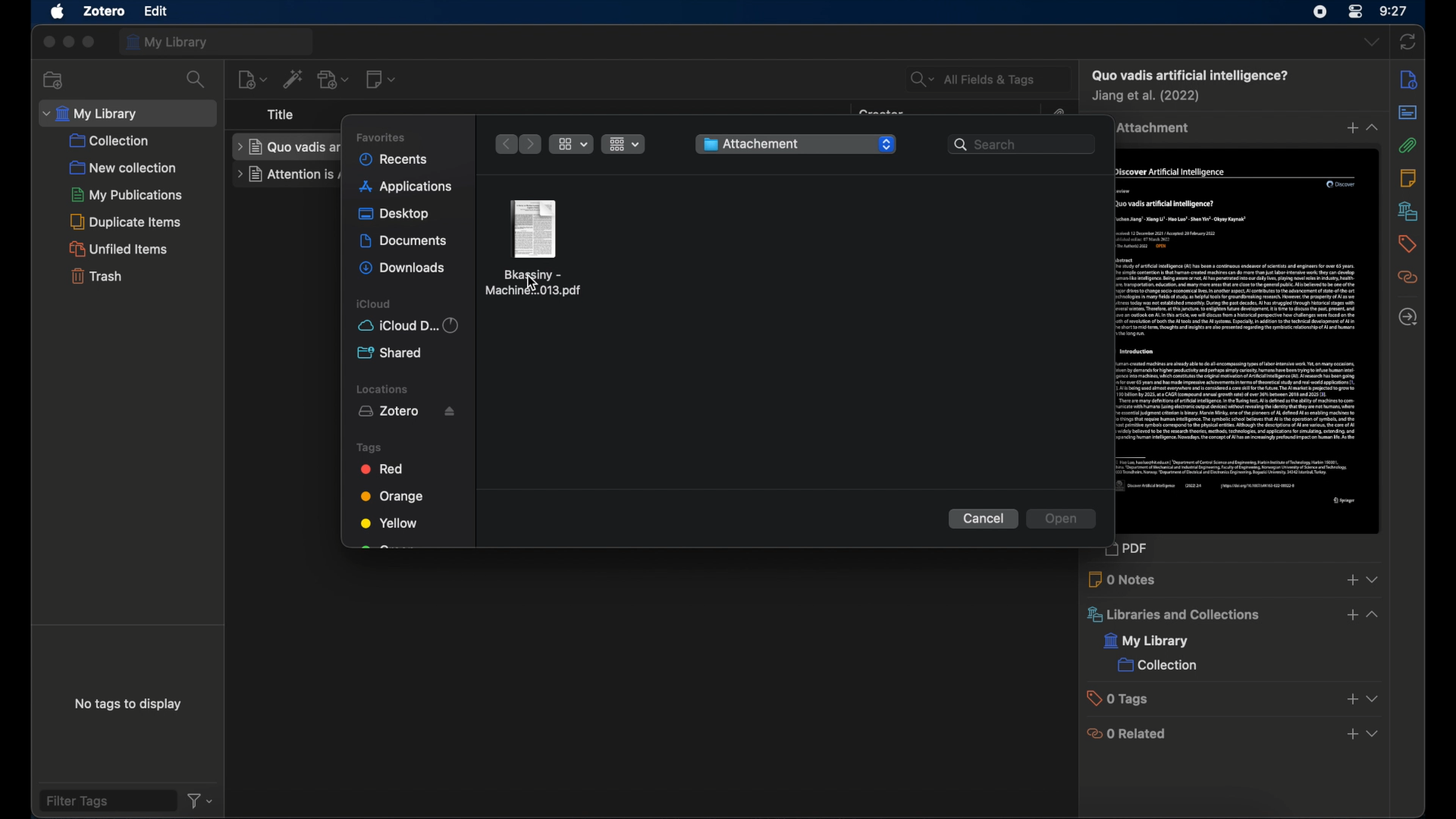 Image resolution: width=1456 pixels, height=819 pixels. What do you see at coordinates (402, 269) in the screenshot?
I see `downloads` at bounding box center [402, 269].